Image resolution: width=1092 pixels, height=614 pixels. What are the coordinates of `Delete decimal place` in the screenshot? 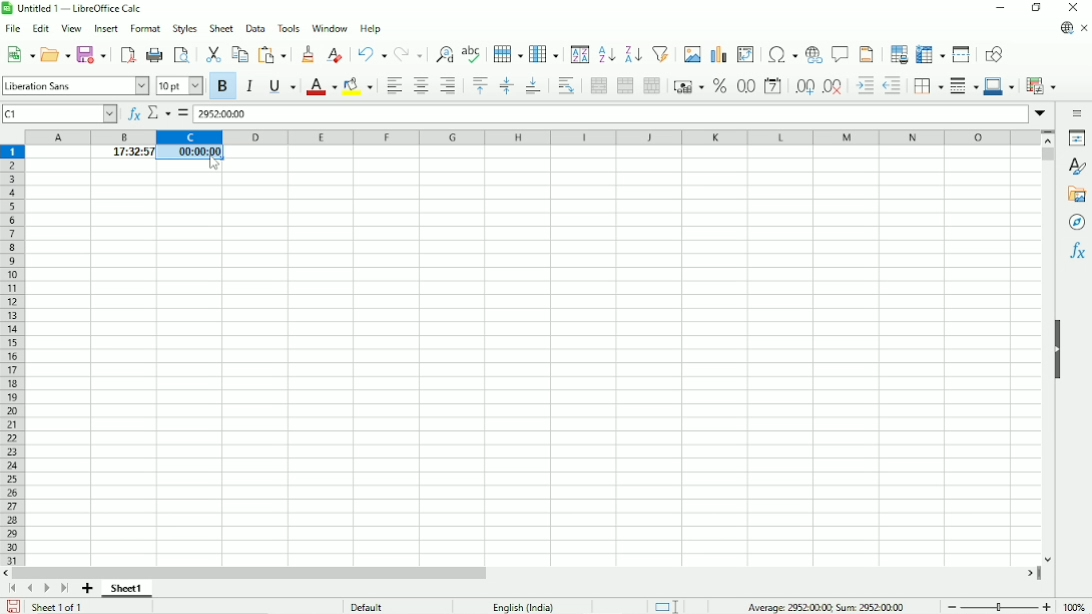 It's located at (833, 88).